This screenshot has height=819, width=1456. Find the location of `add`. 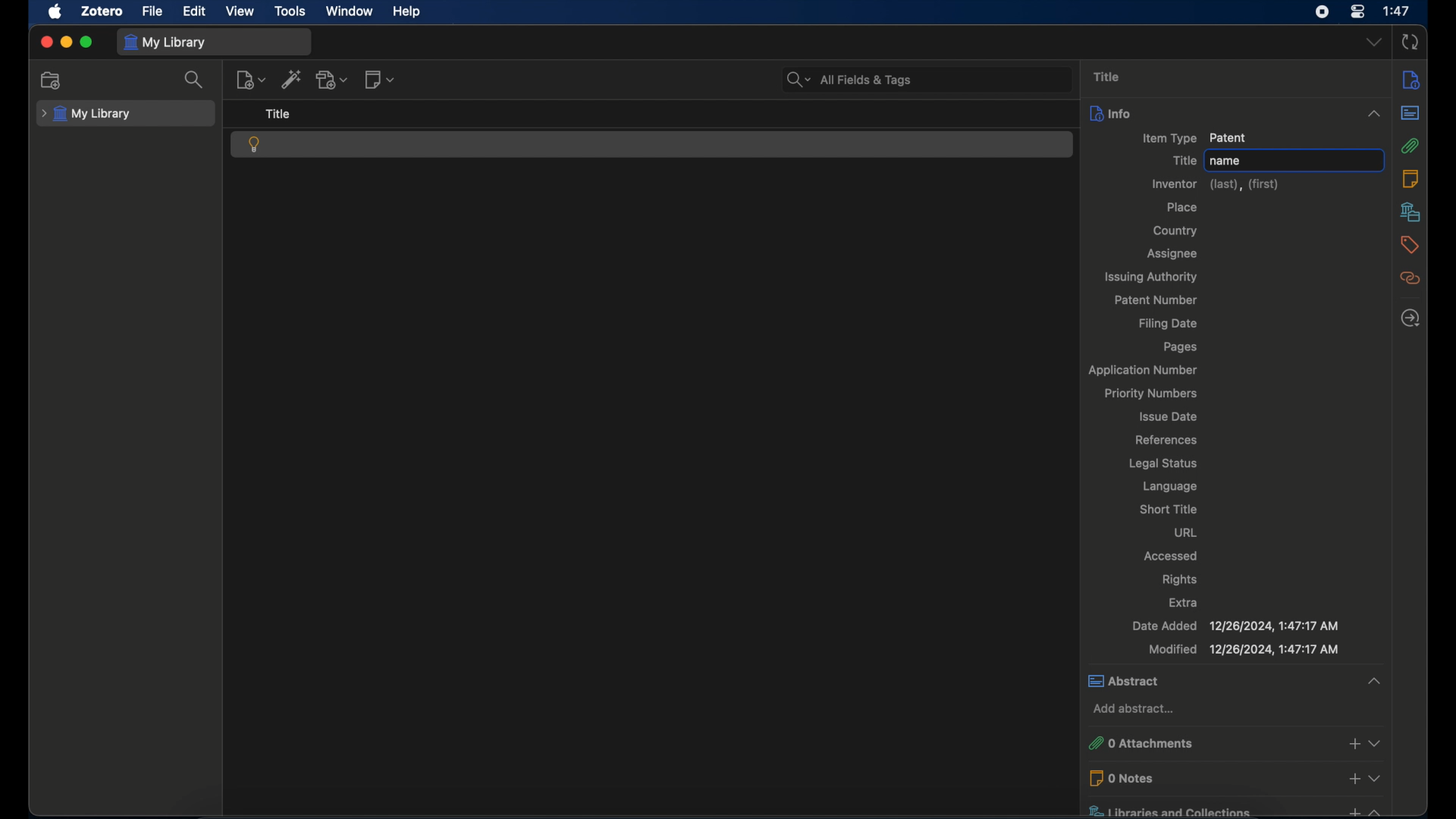

add is located at coordinates (1354, 741).